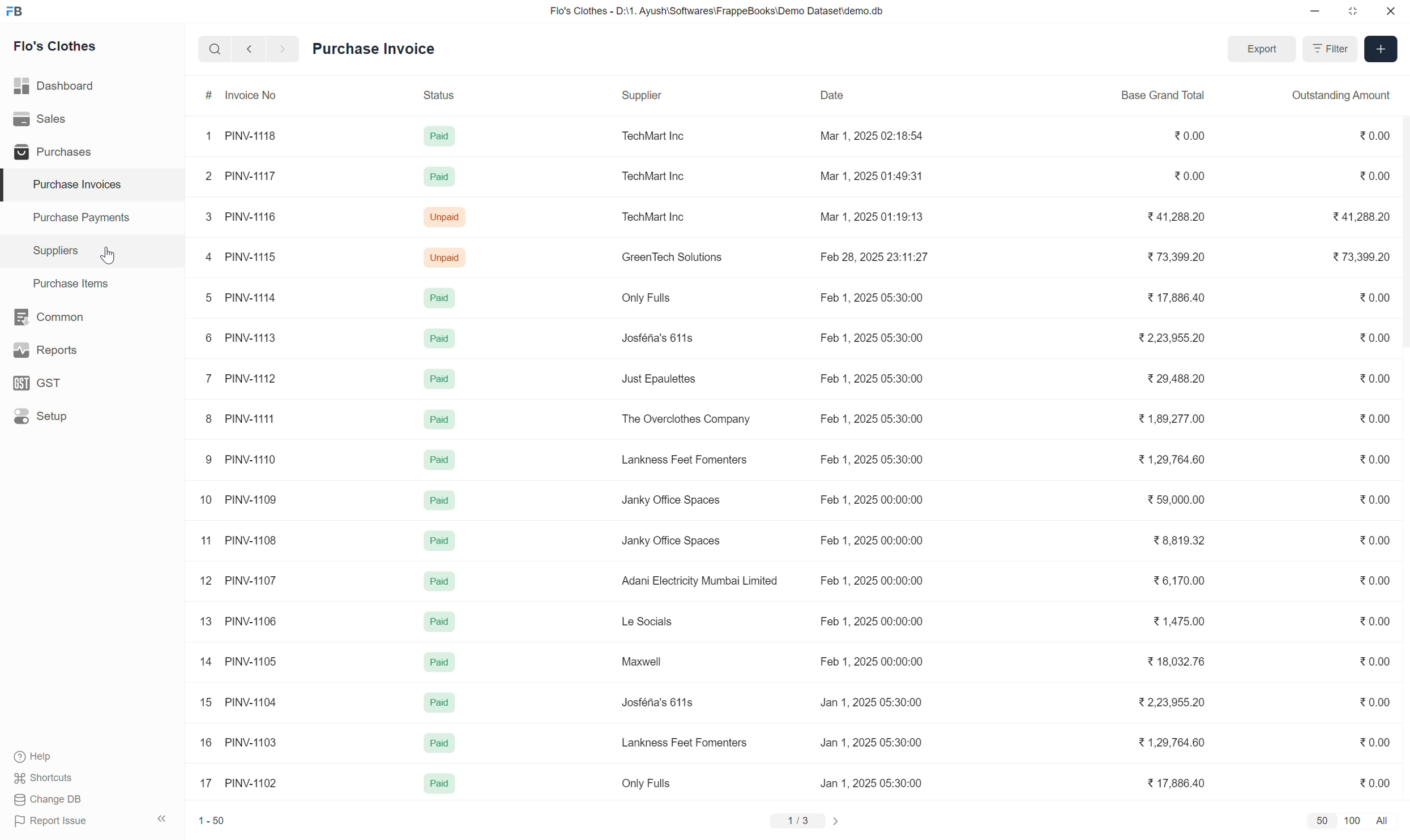 This screenshot has width=1410, height=840. Describe the element at coordinates (37, 377) in the screenshot. I see `GST` at that location.